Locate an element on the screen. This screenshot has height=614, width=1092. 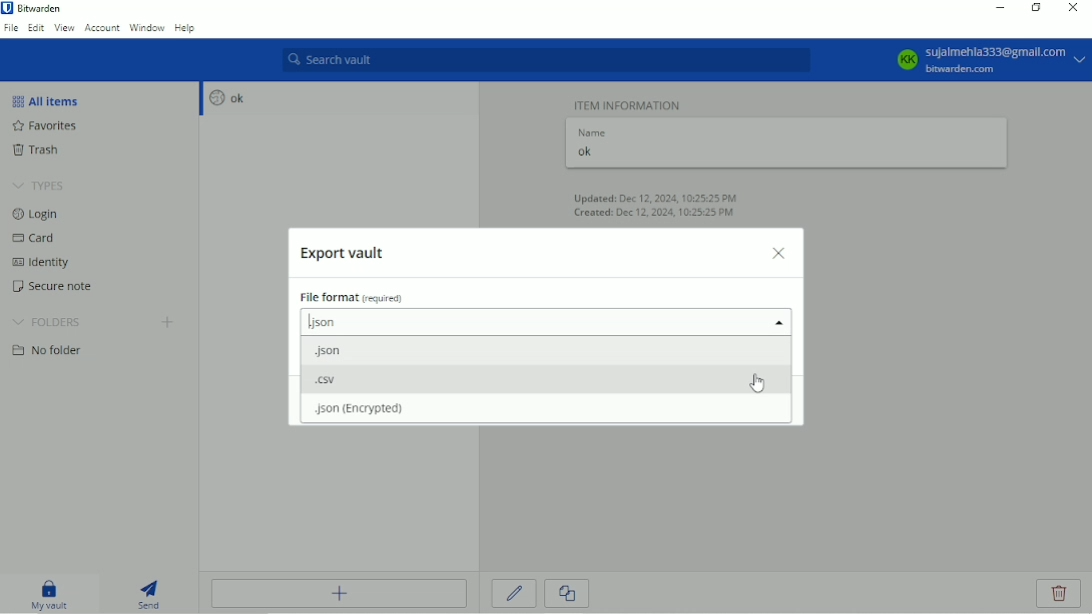
Created: Dec 12, 2024, 10:25:25 PM is located at coordinates (653, 214).